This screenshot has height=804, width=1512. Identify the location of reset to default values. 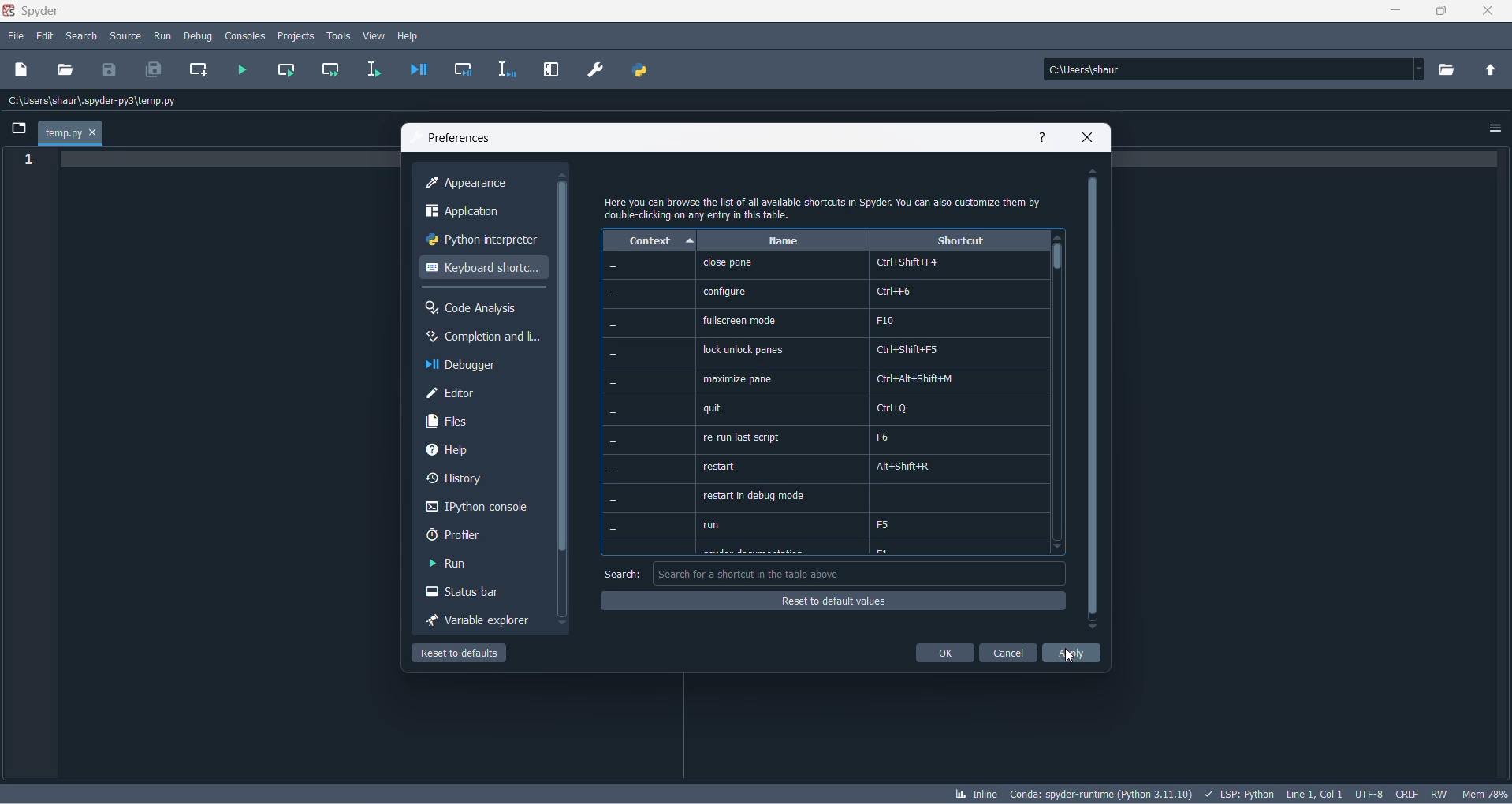
(834, 603).